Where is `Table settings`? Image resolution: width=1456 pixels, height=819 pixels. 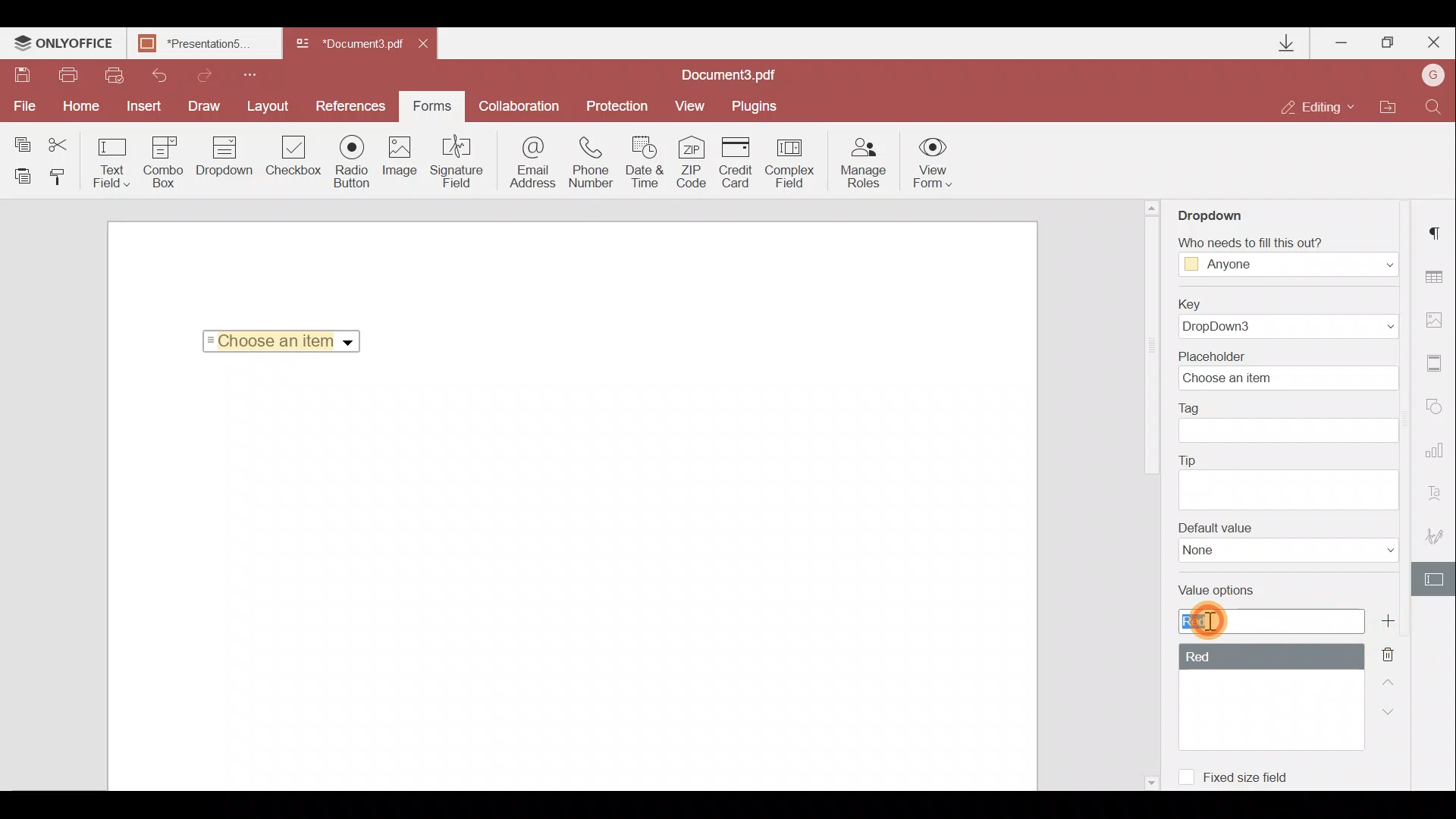
Table settings is located at coordinates (1441, 277).